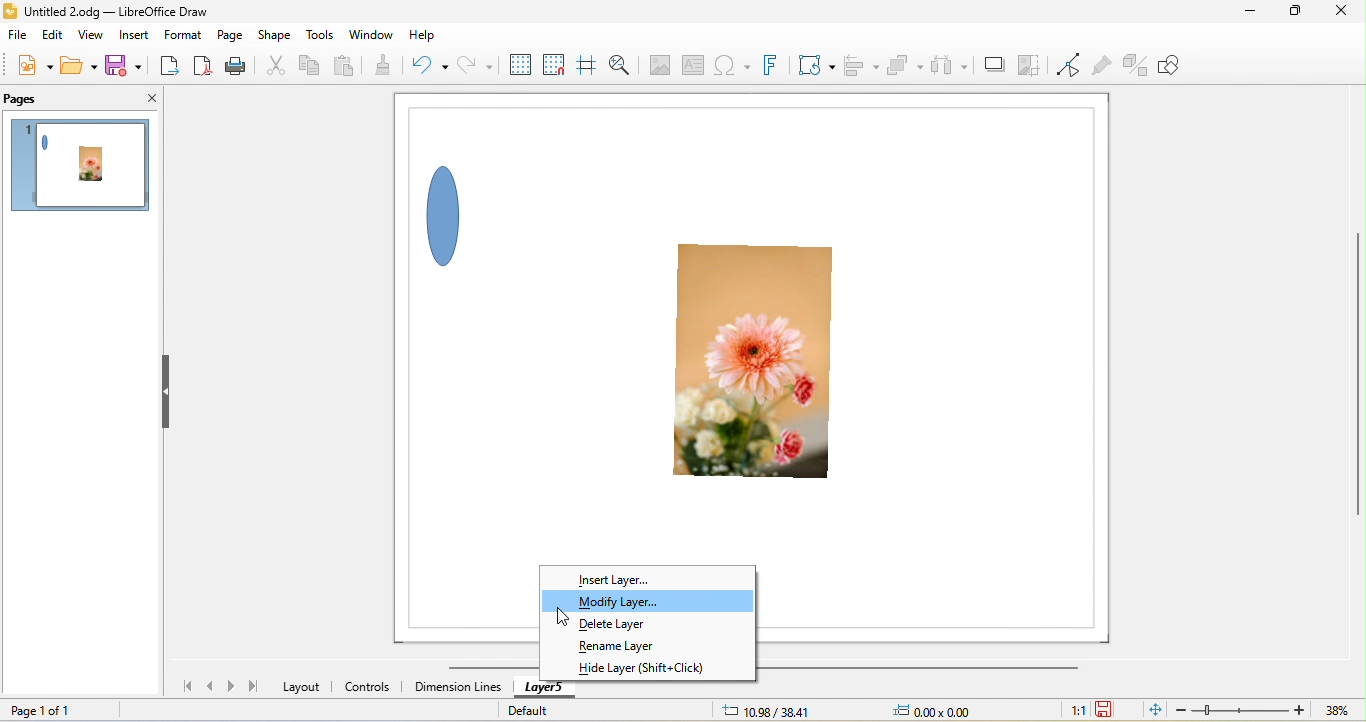 Image resolution: width=1366 pixels, height=722 pixels. I want to click on controls, so click(370, 688).